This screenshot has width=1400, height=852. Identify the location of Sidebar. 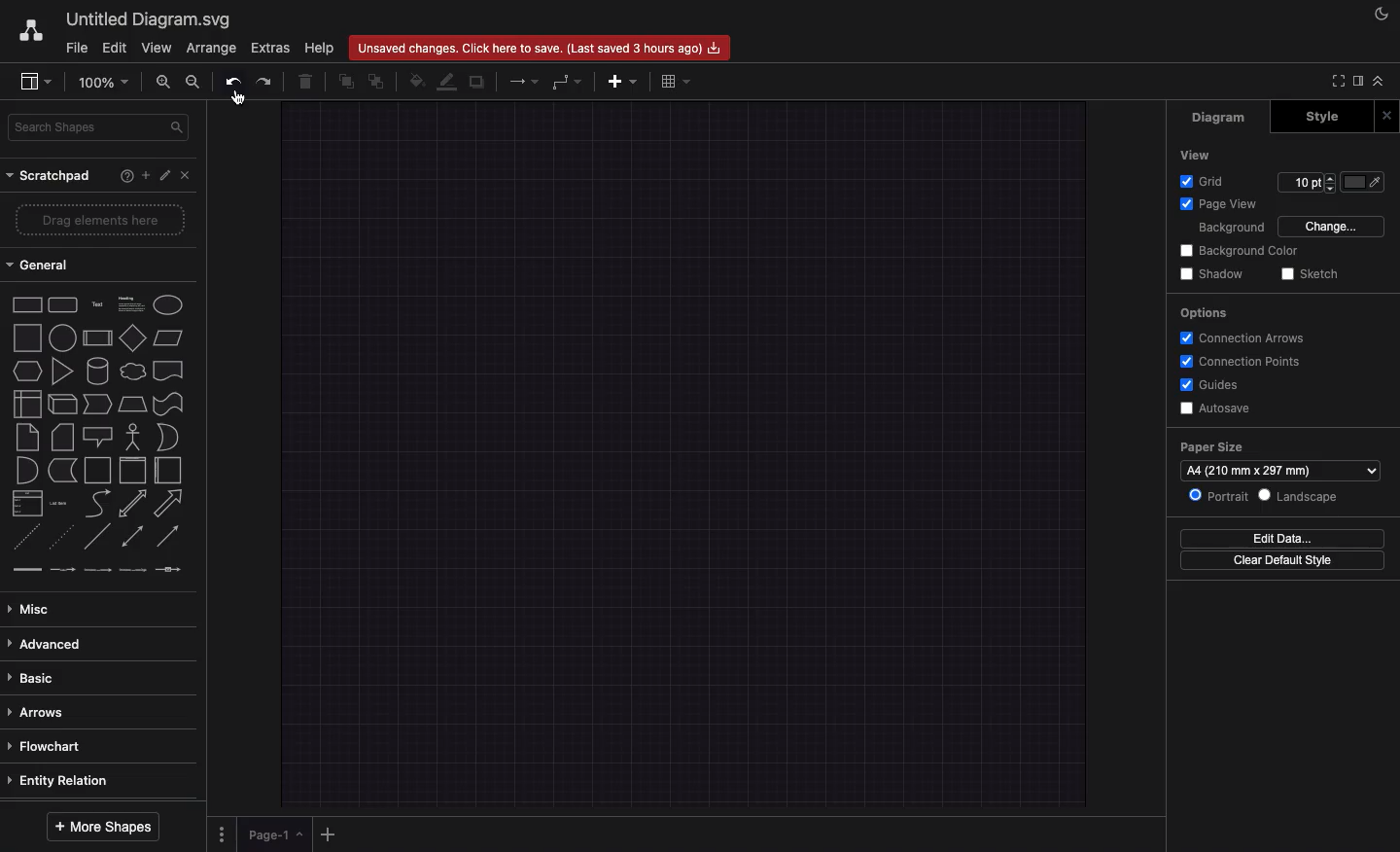
(38, 80).